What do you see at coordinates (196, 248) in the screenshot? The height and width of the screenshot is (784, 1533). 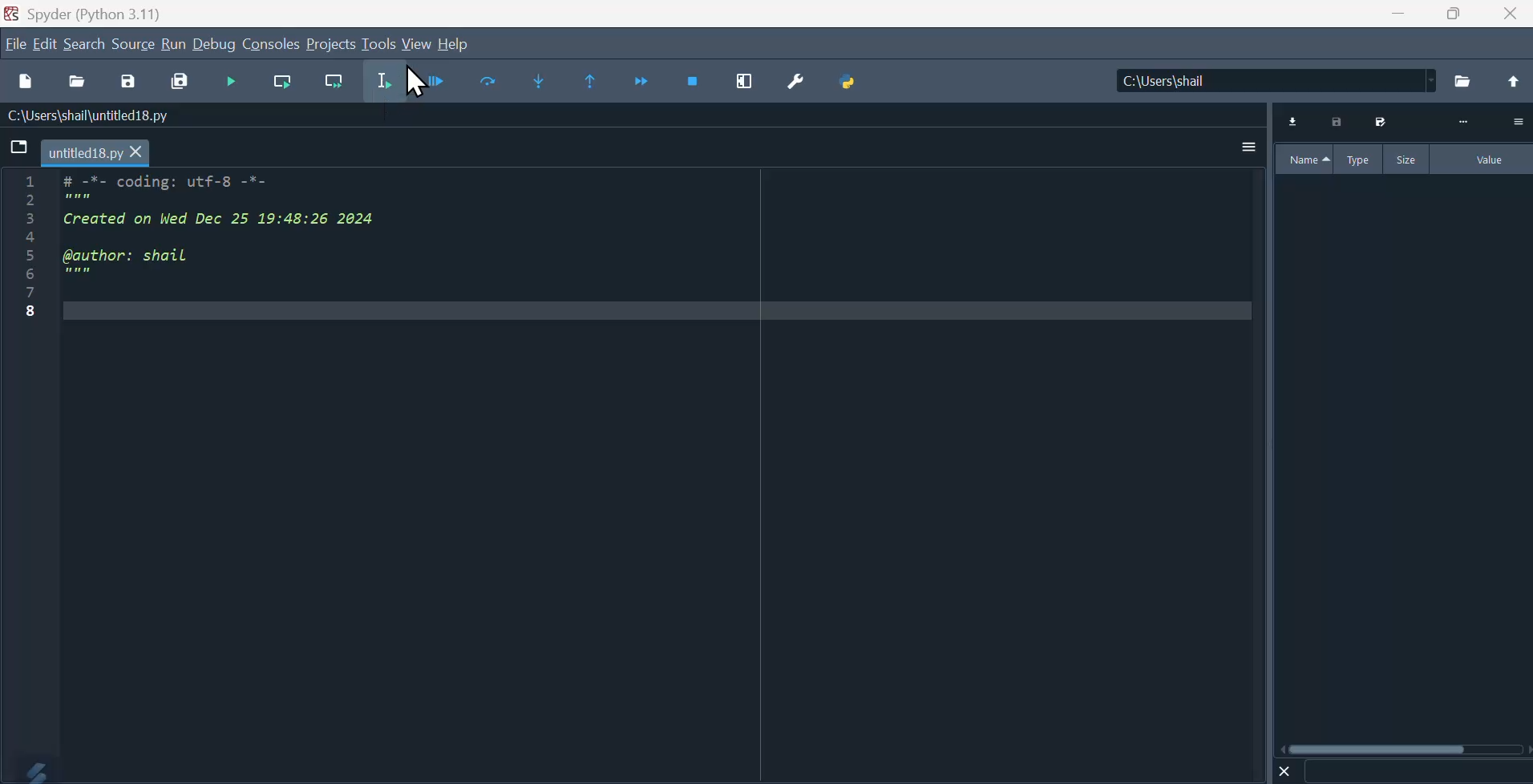 I see `w == Coding. ULT=0 ==Created on Wed Dec 25 19:48:26 2024 @author: shail` at bounding box center [196, 248].